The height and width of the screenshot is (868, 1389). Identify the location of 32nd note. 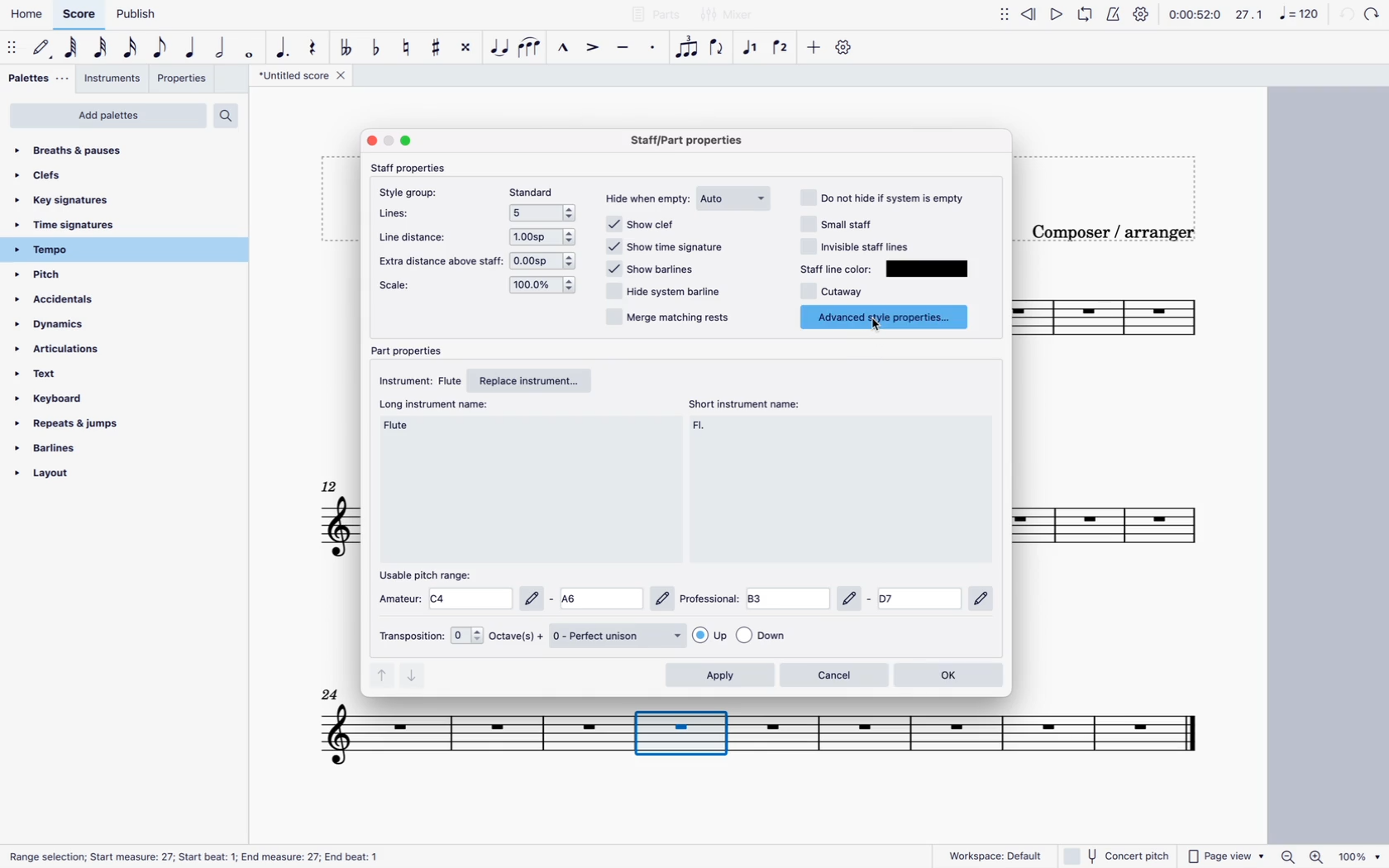
(102, 49).